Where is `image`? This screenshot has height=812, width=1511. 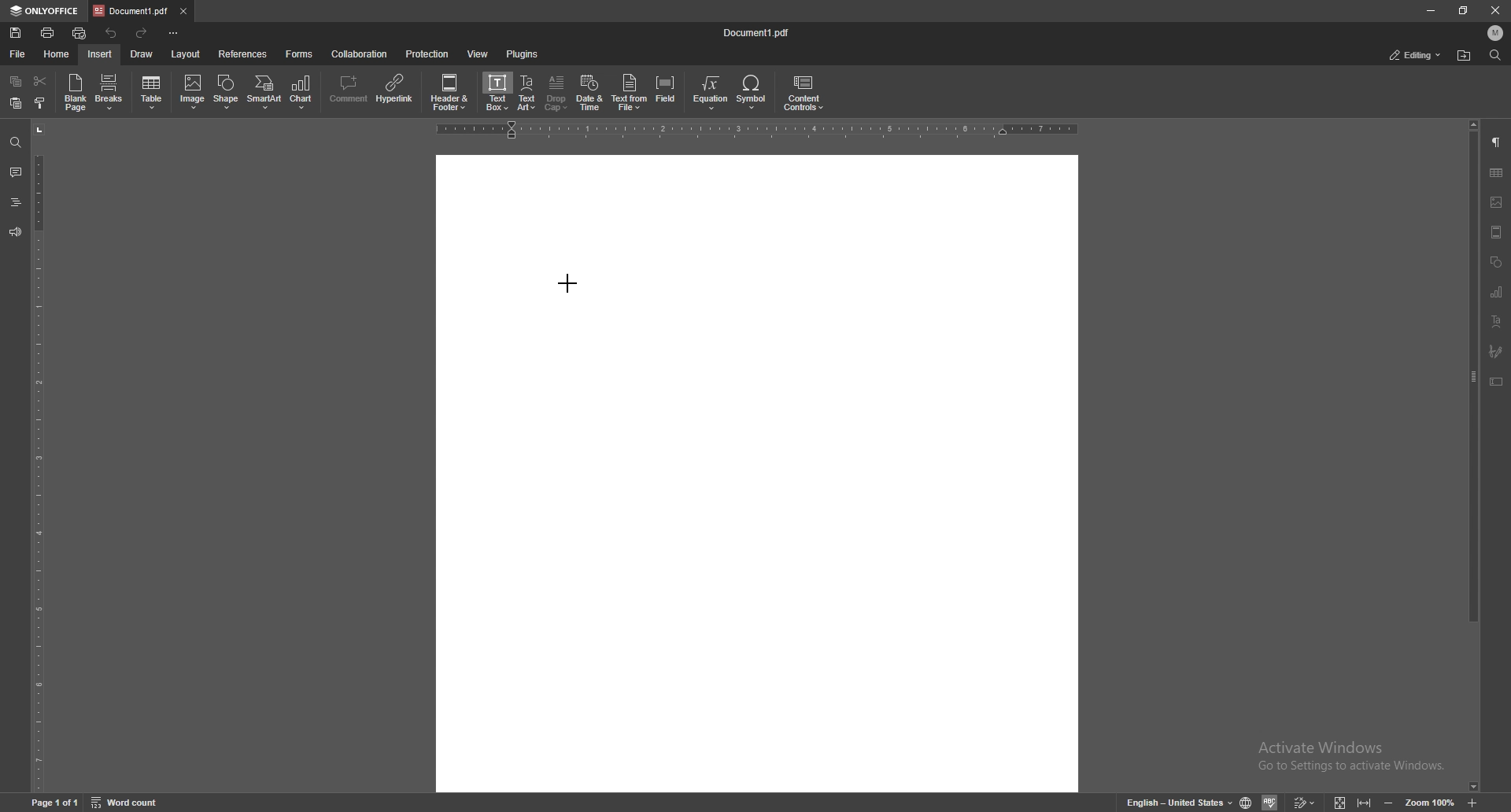 image is located at coordinates (1498, 202).